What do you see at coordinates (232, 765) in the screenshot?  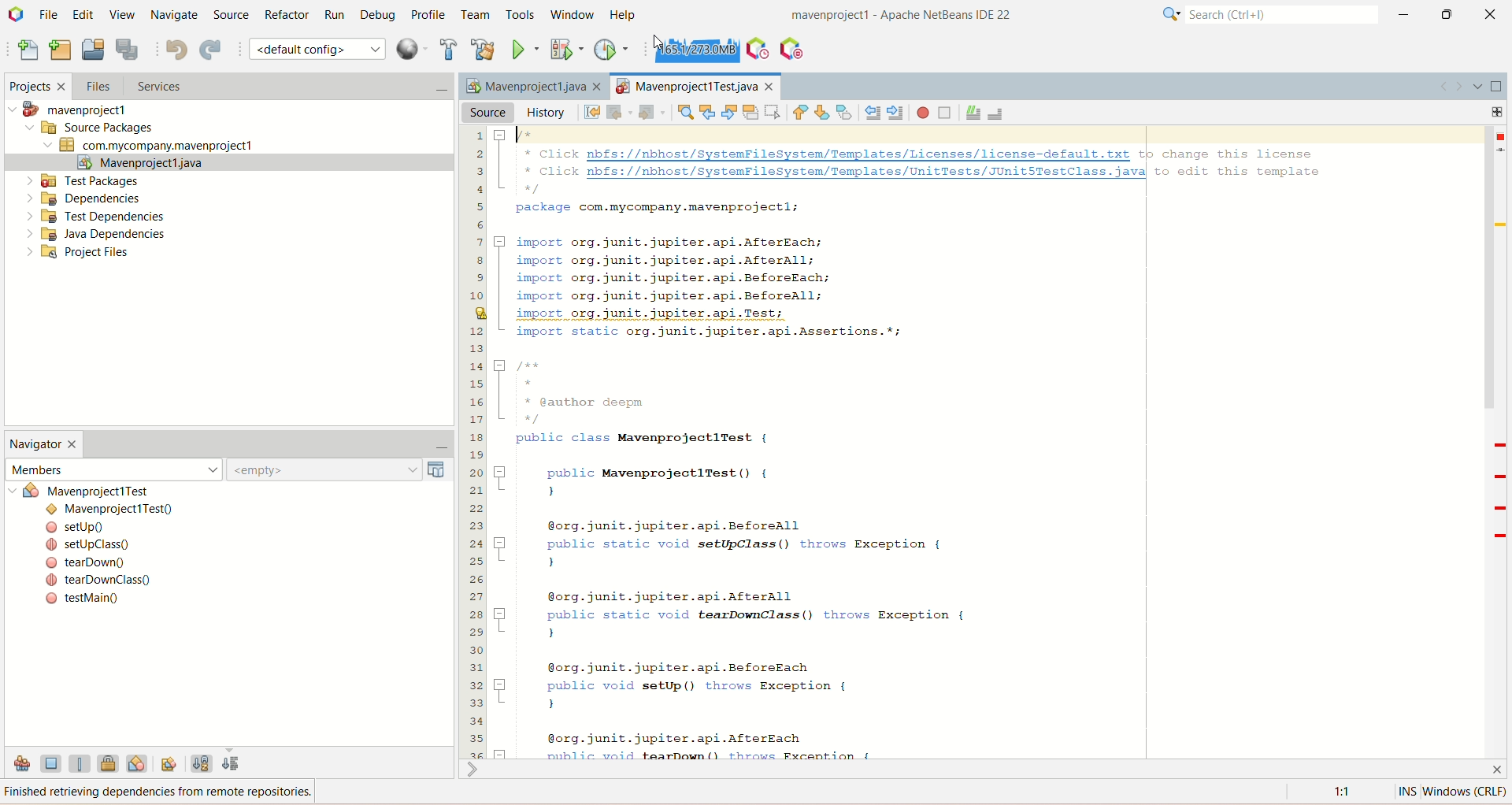 I see `sort by source` at bounding box center [232, 765].